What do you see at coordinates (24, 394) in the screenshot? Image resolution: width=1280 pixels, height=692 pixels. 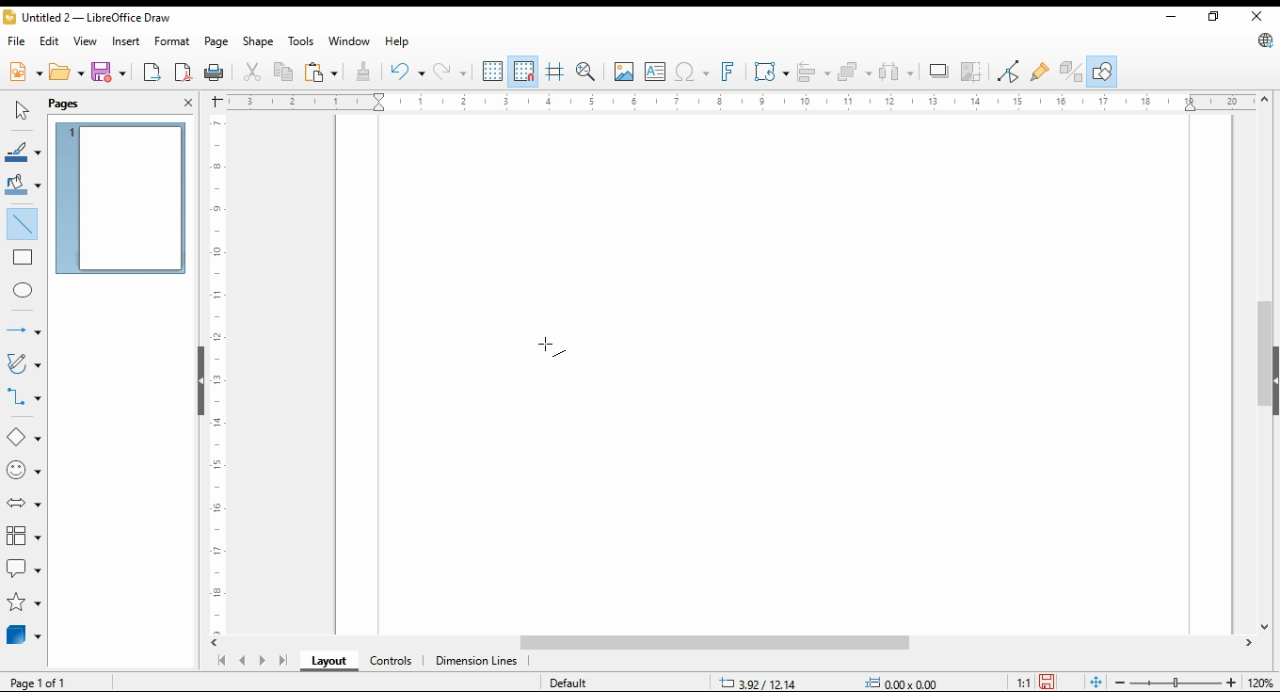 I see `connectors` at bounding box center [24, 394].